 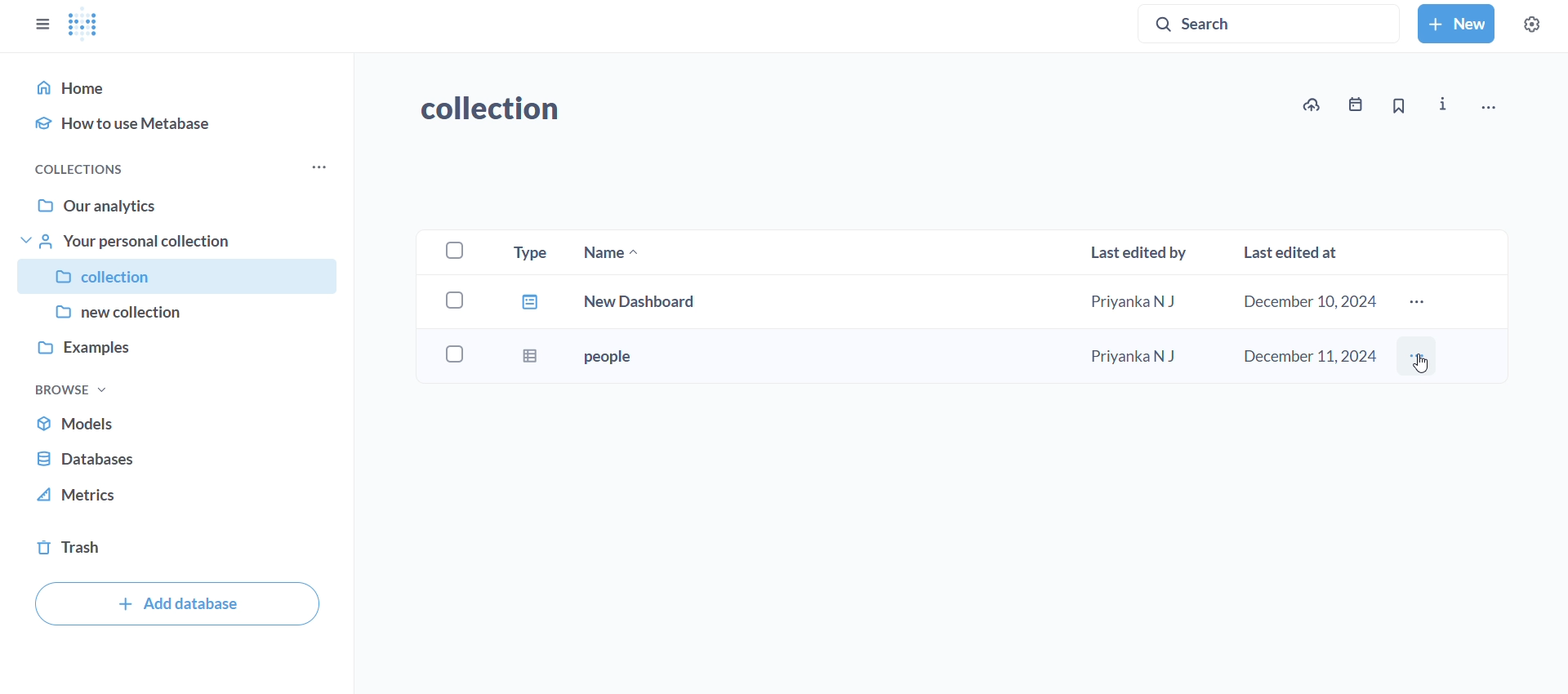 I want to click on move,trash, and more, so click(x=1487, y=109).